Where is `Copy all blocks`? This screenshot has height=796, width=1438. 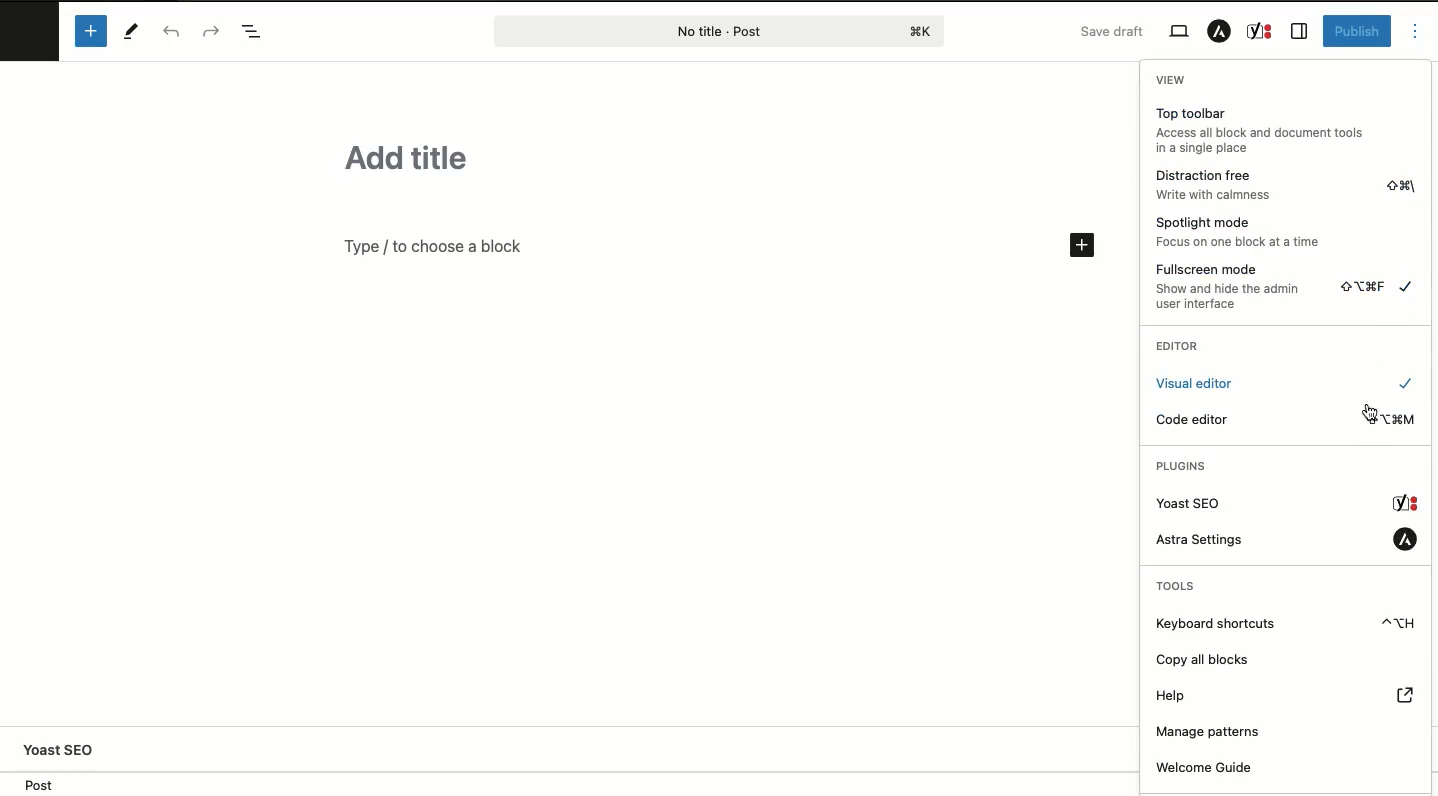 Copy all blocks is located at coordinates (1202, 657).